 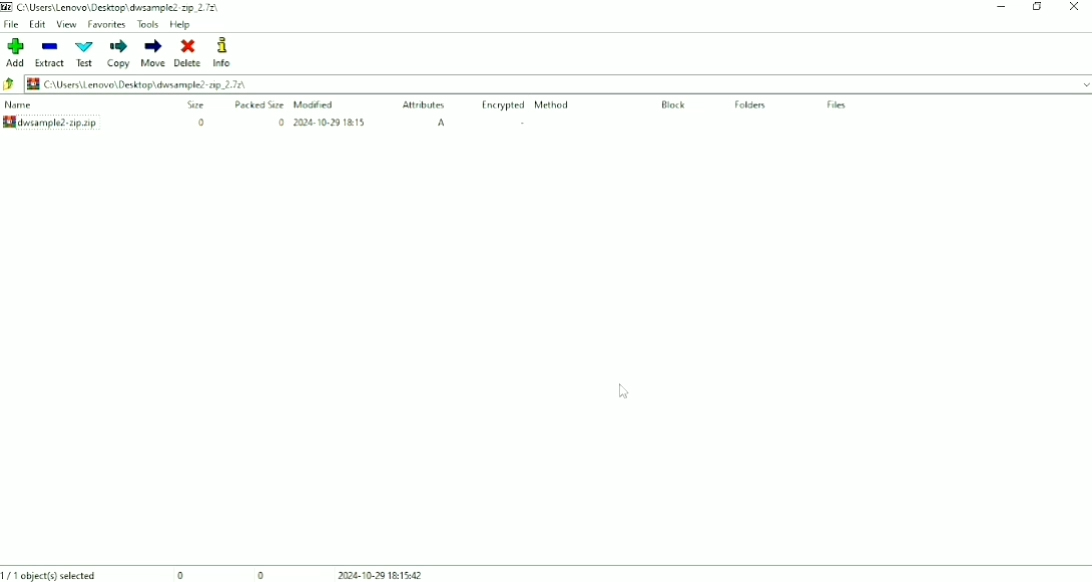 I want to click on 1/1 object(s) selected, so click(x=51, y=574).